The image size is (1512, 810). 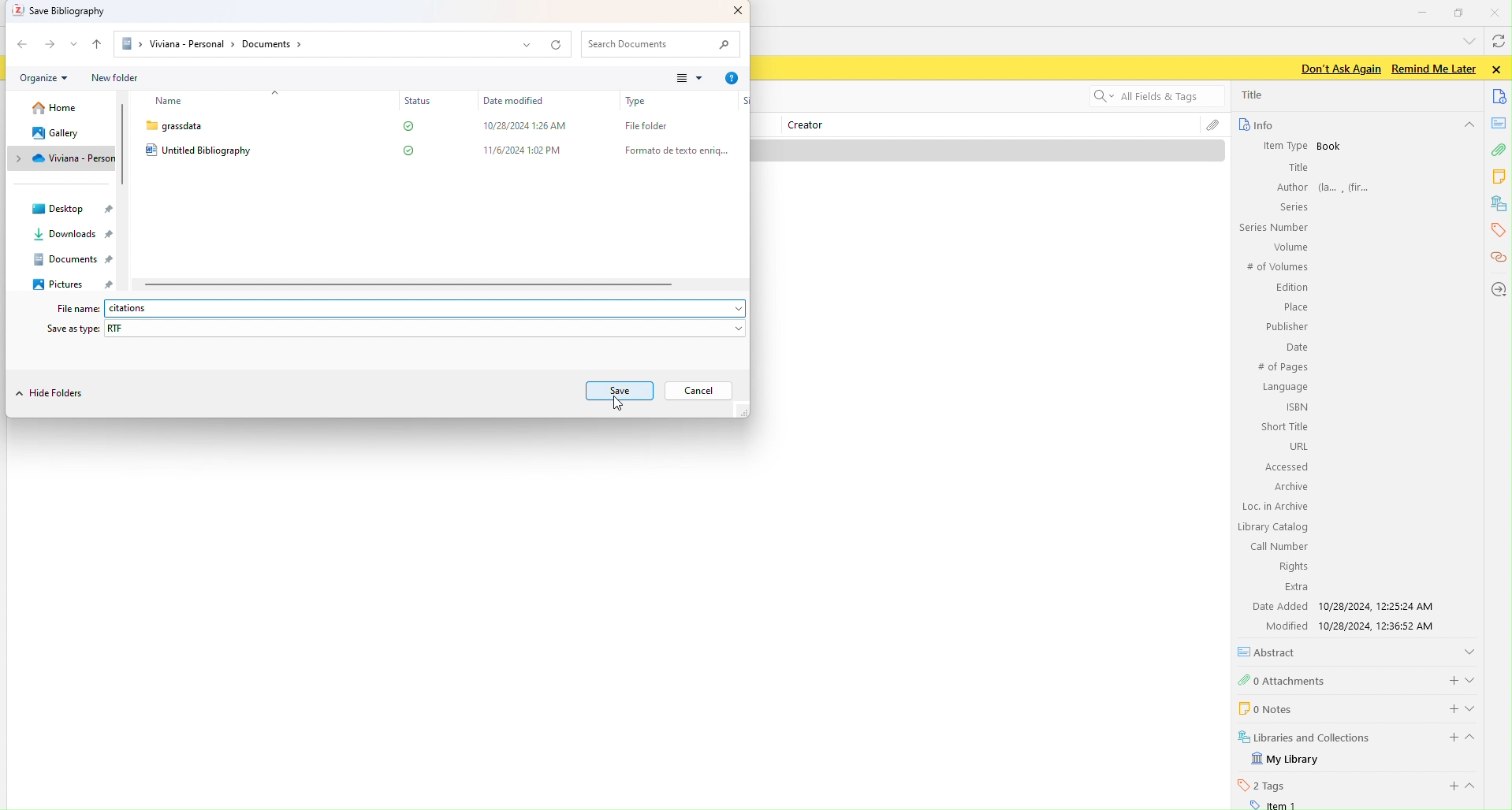 I want to click on Box, so click(x=1460, y=13).